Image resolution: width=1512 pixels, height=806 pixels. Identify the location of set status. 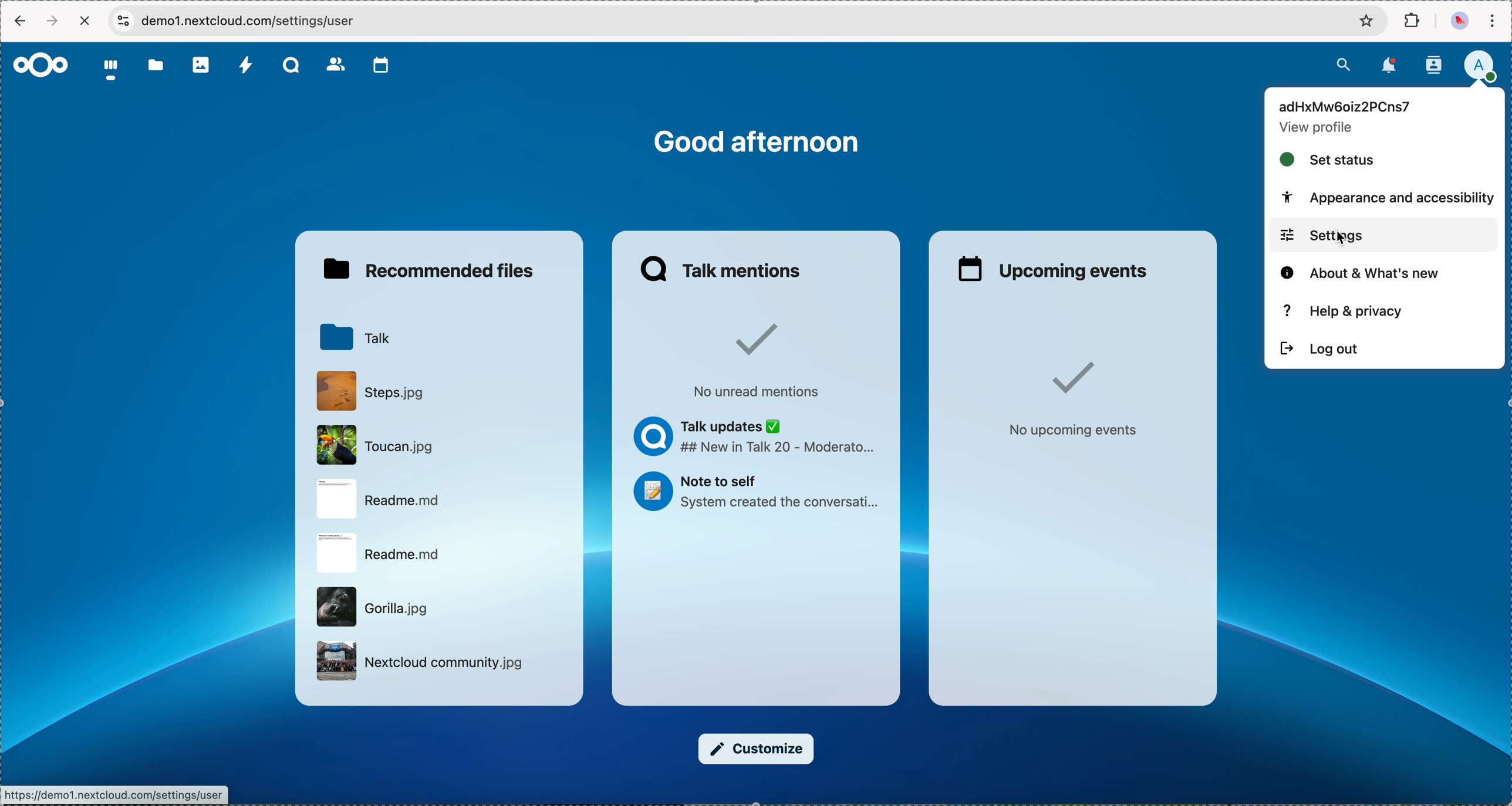
(1328, 160).